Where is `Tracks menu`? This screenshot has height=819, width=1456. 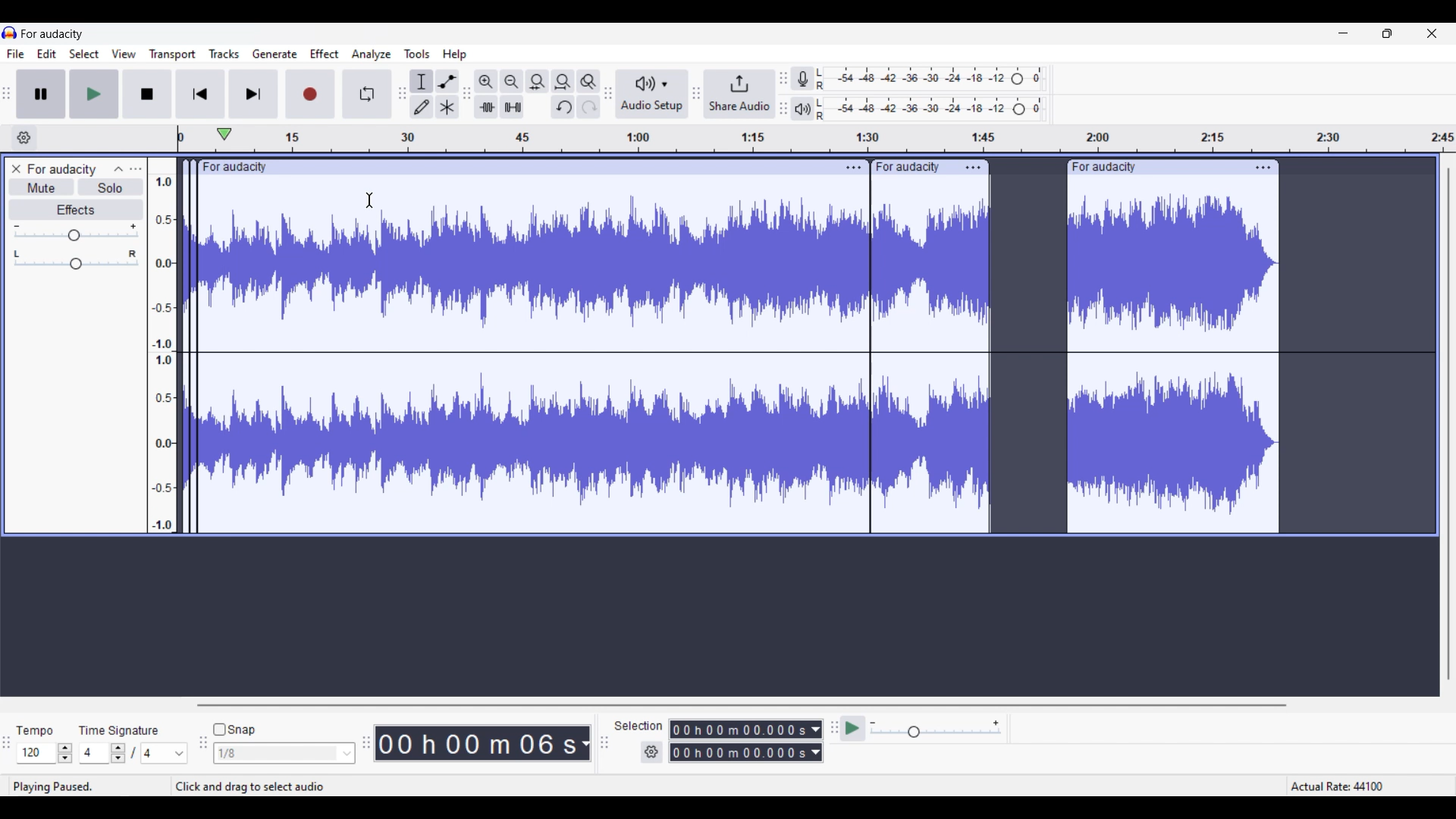
Tracks menu is located at coordinates (224, 55).